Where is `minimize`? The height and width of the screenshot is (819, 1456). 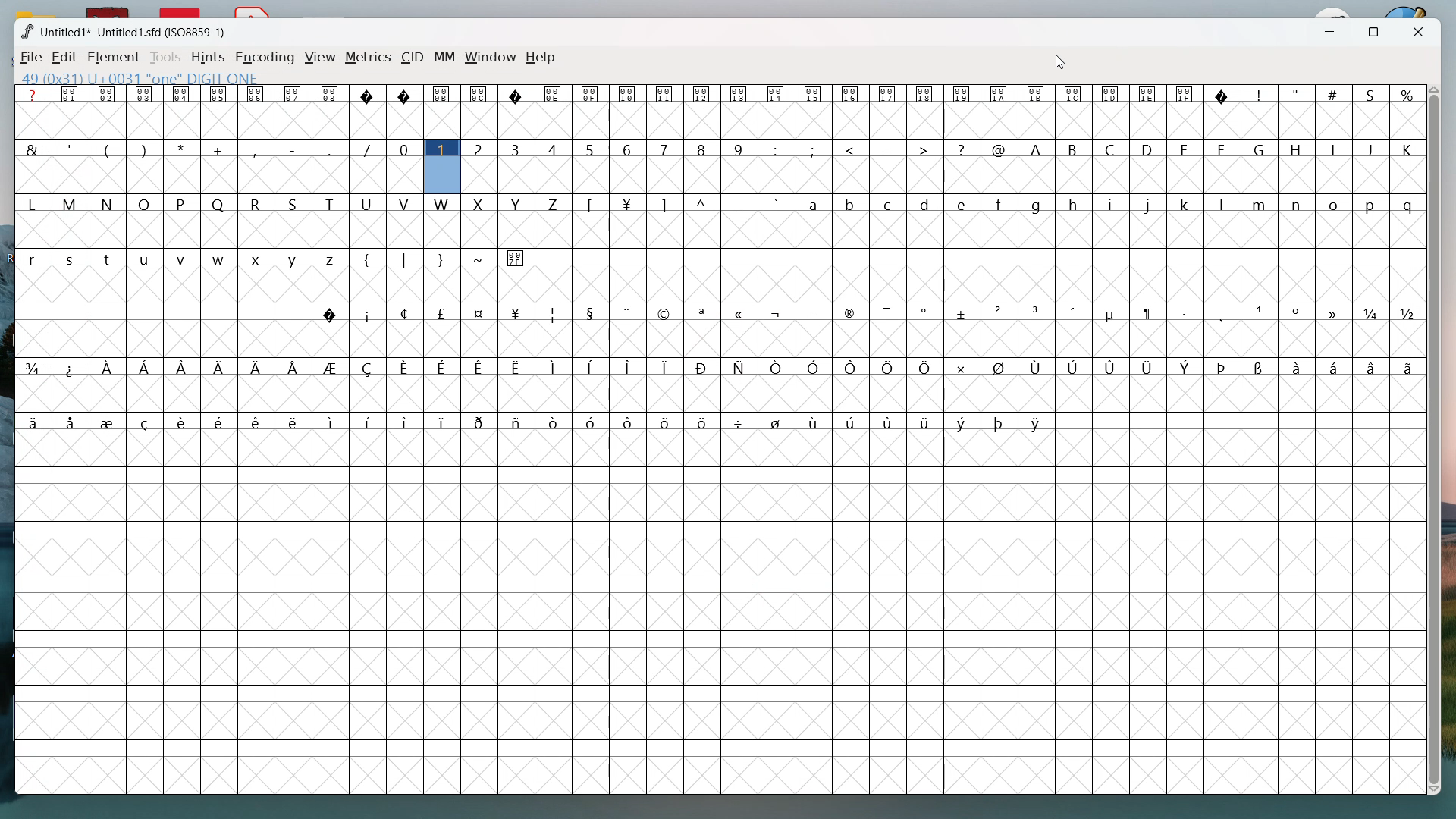
minimize is located at coordinates (1326, 33).